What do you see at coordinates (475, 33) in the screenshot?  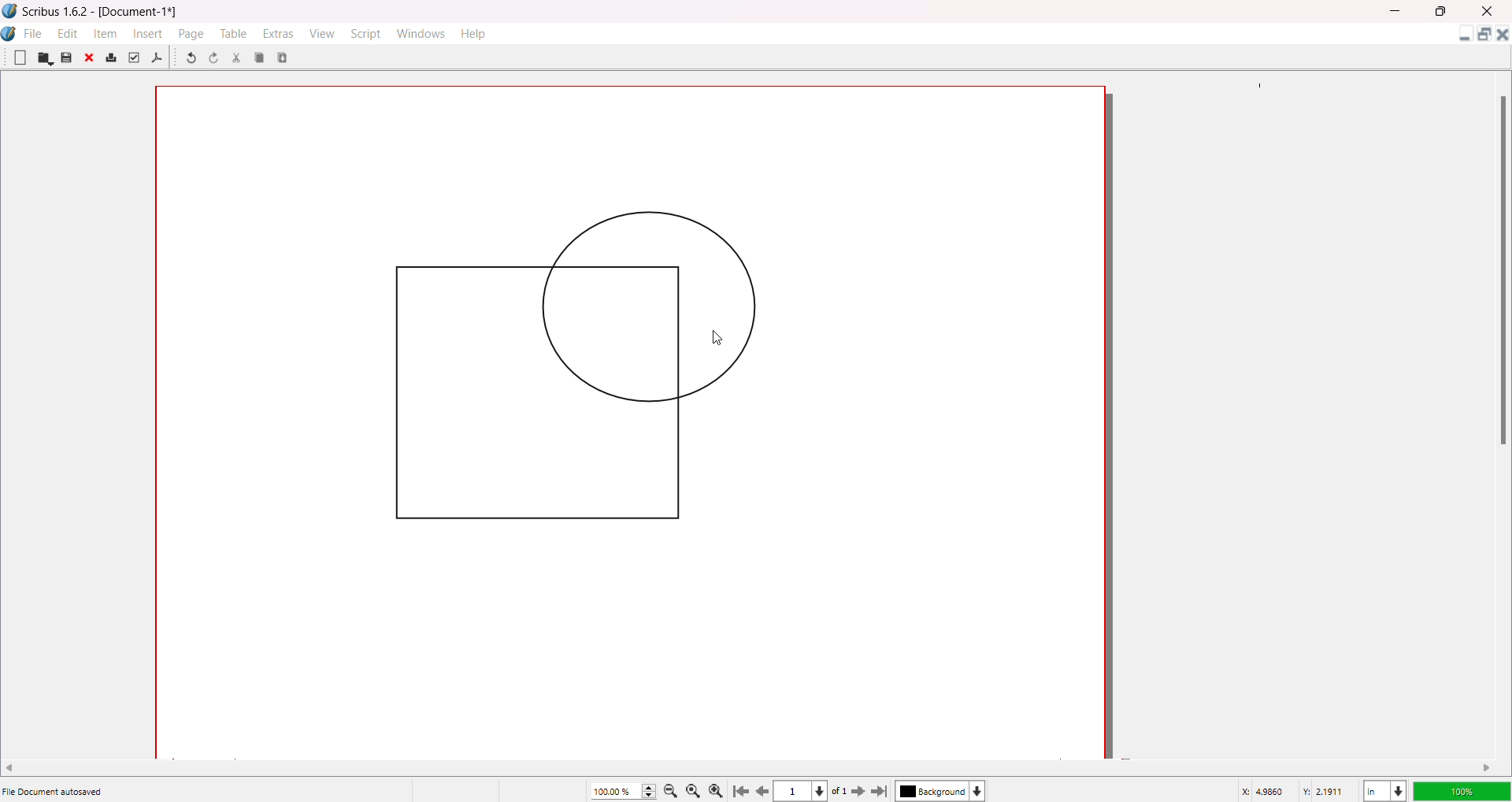 I see `Help` at bounding box center [475, 33].